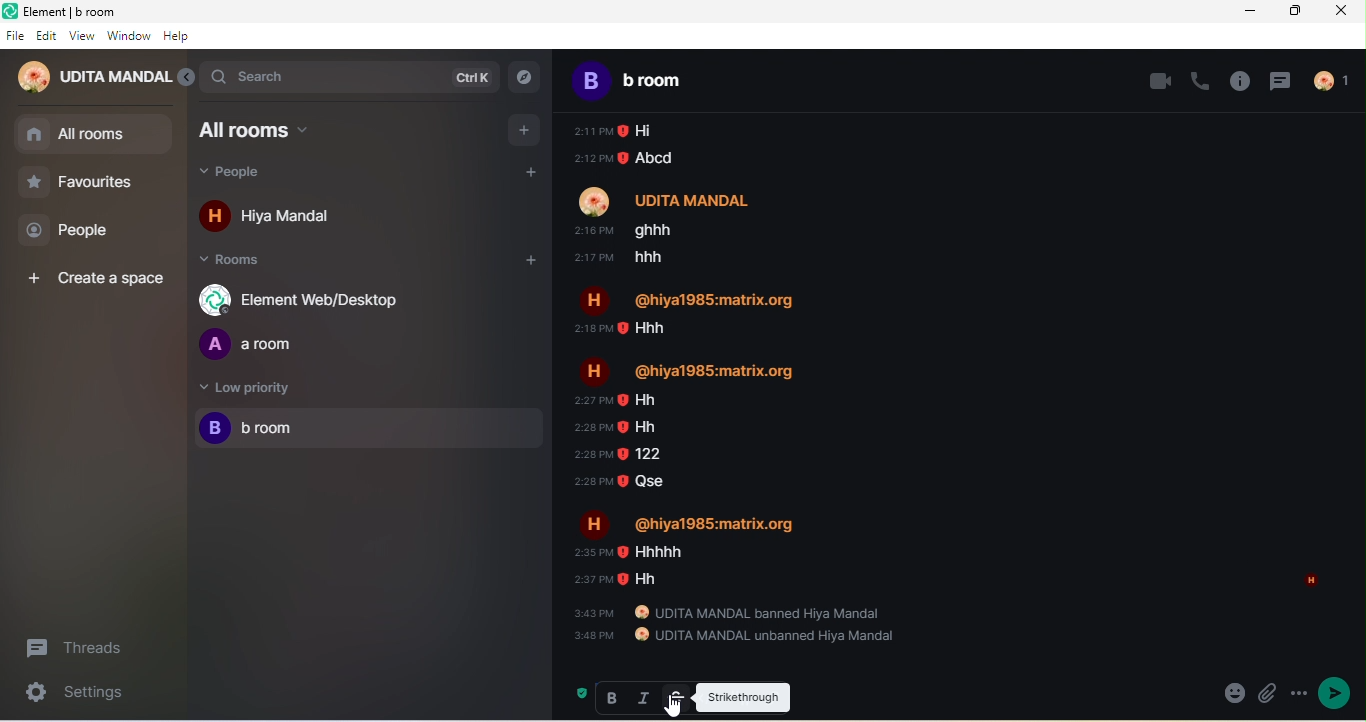  Describe the element at coordinates (656, 79) in the screenshot. I see `b room` at that location.